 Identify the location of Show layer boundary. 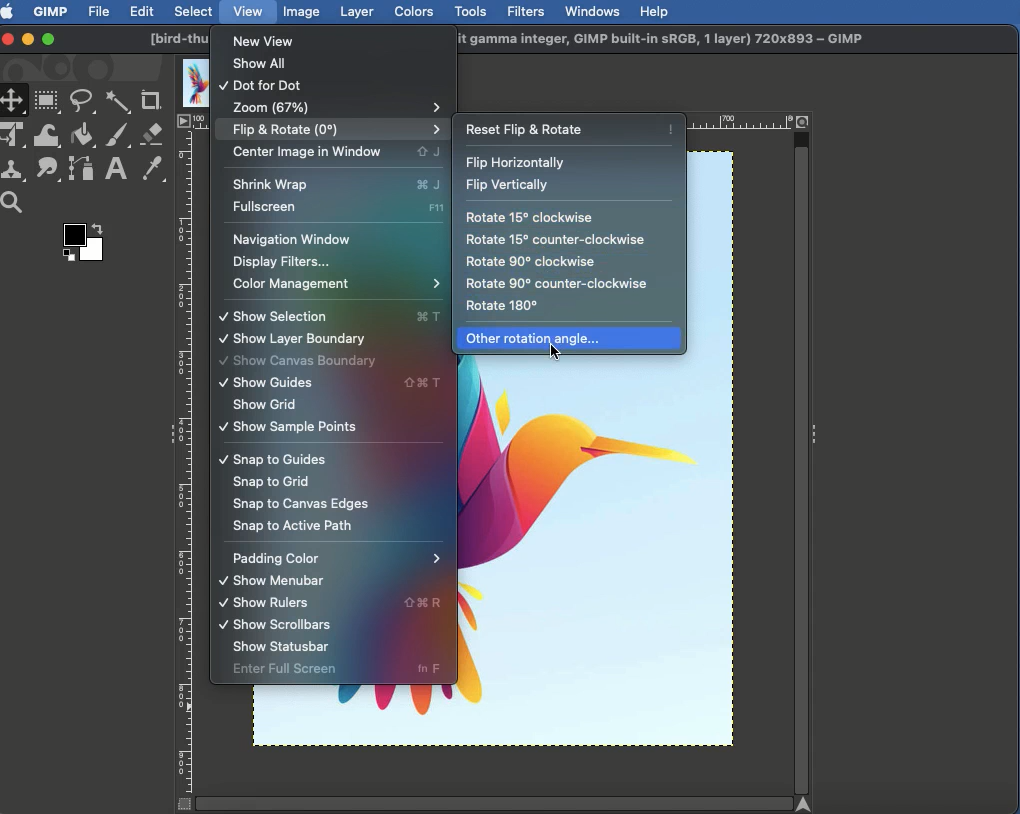
(292, 339).